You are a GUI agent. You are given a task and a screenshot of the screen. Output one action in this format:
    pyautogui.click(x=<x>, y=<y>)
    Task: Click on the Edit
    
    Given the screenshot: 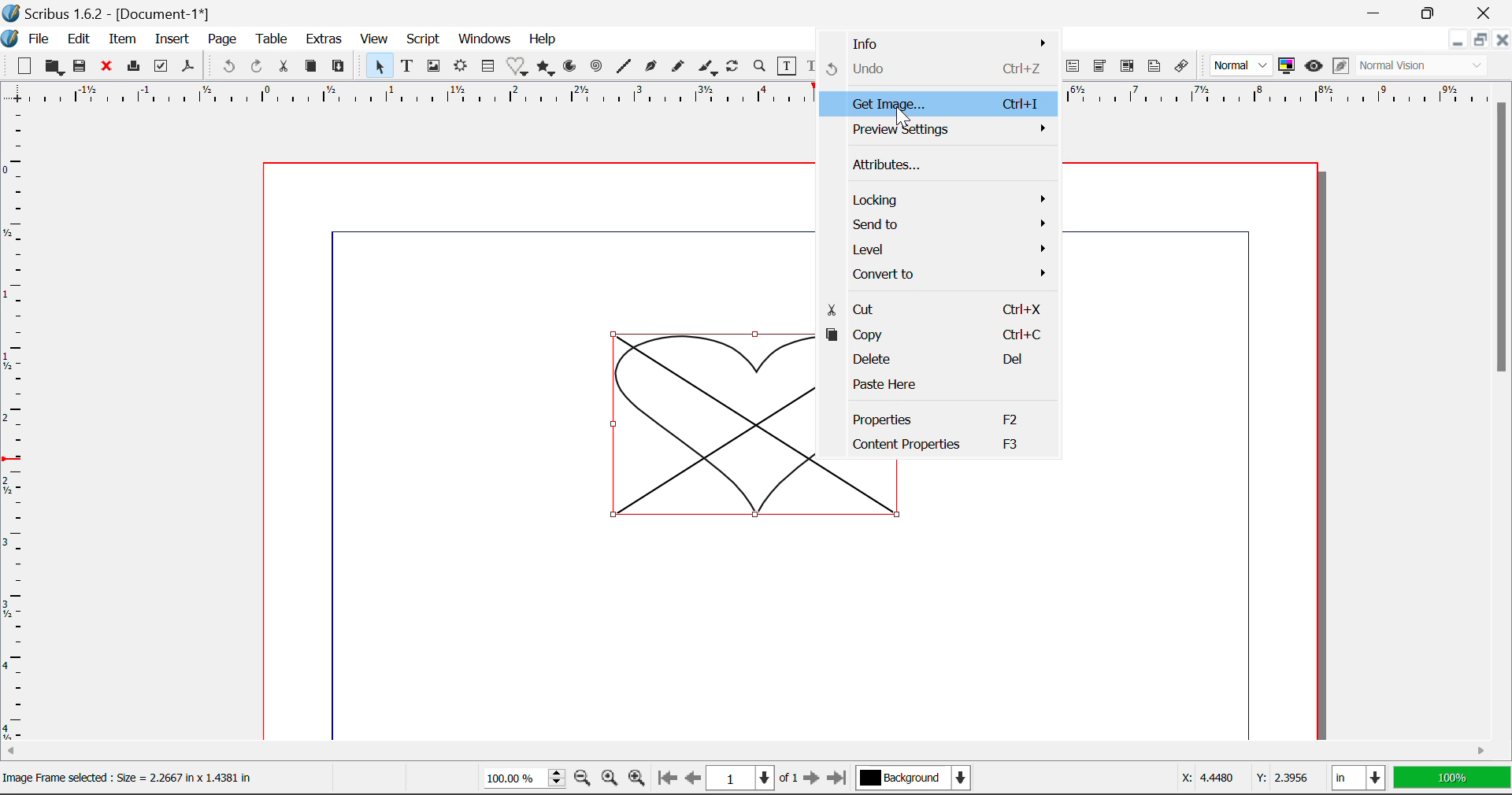 What is the action you would take?
    pyautogui.click(x=79, y=39)
    